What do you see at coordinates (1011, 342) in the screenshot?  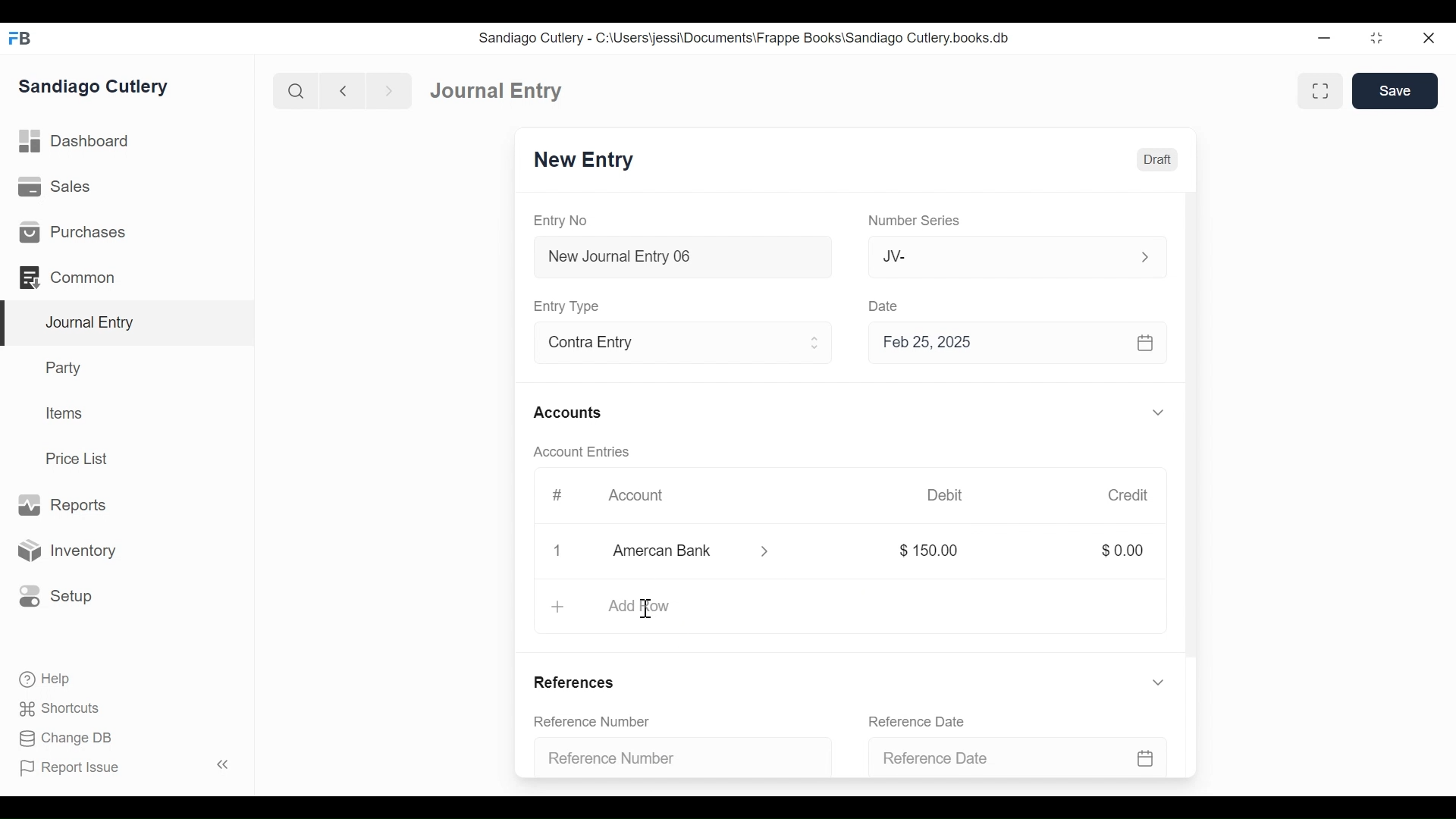 I see `Feb 25, 2025` at bounding box center [1011, 342].